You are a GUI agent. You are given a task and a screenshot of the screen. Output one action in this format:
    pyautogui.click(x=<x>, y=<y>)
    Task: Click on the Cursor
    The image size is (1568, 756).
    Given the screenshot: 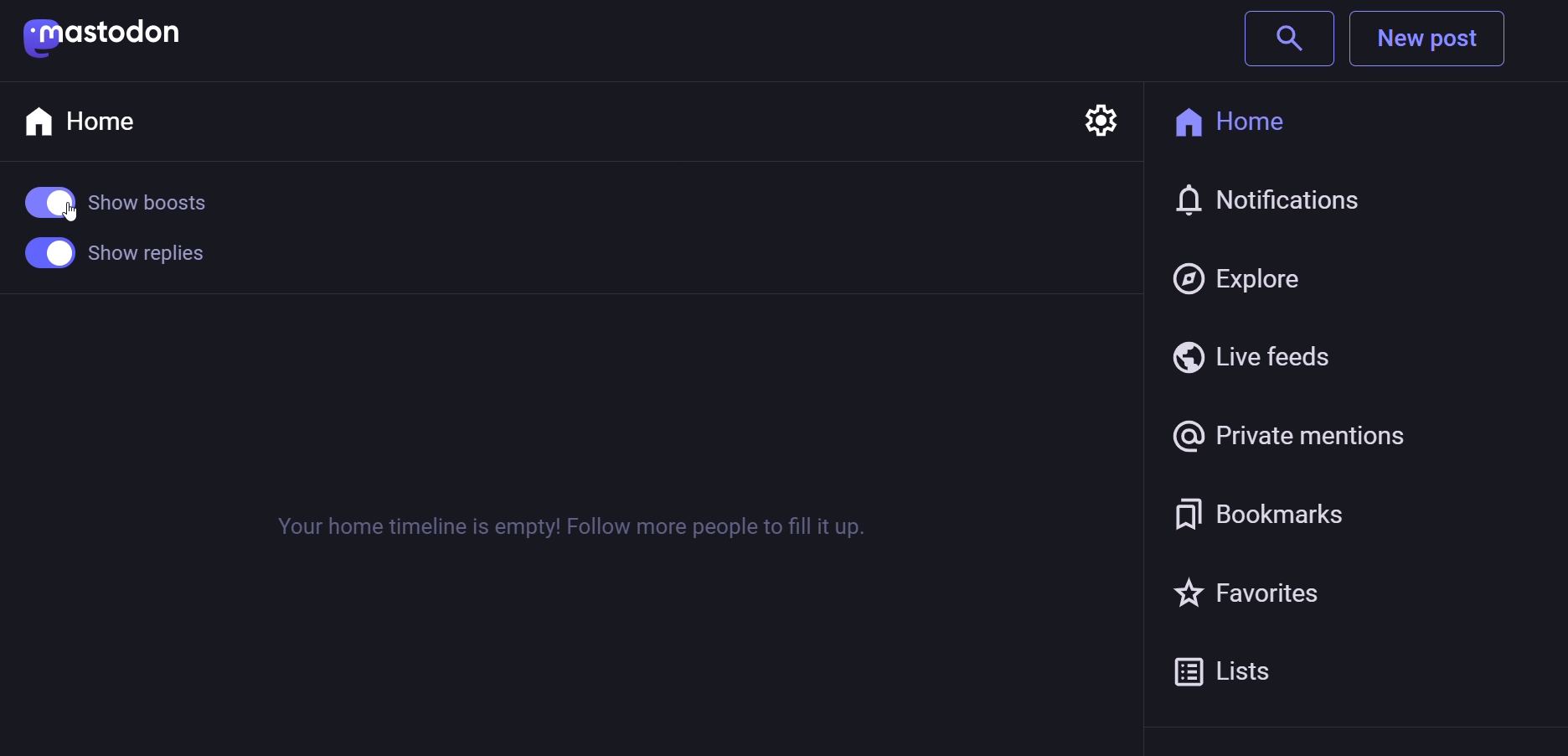 What is the action you would take?
    pyautogui.click(x=68, y=216)
    